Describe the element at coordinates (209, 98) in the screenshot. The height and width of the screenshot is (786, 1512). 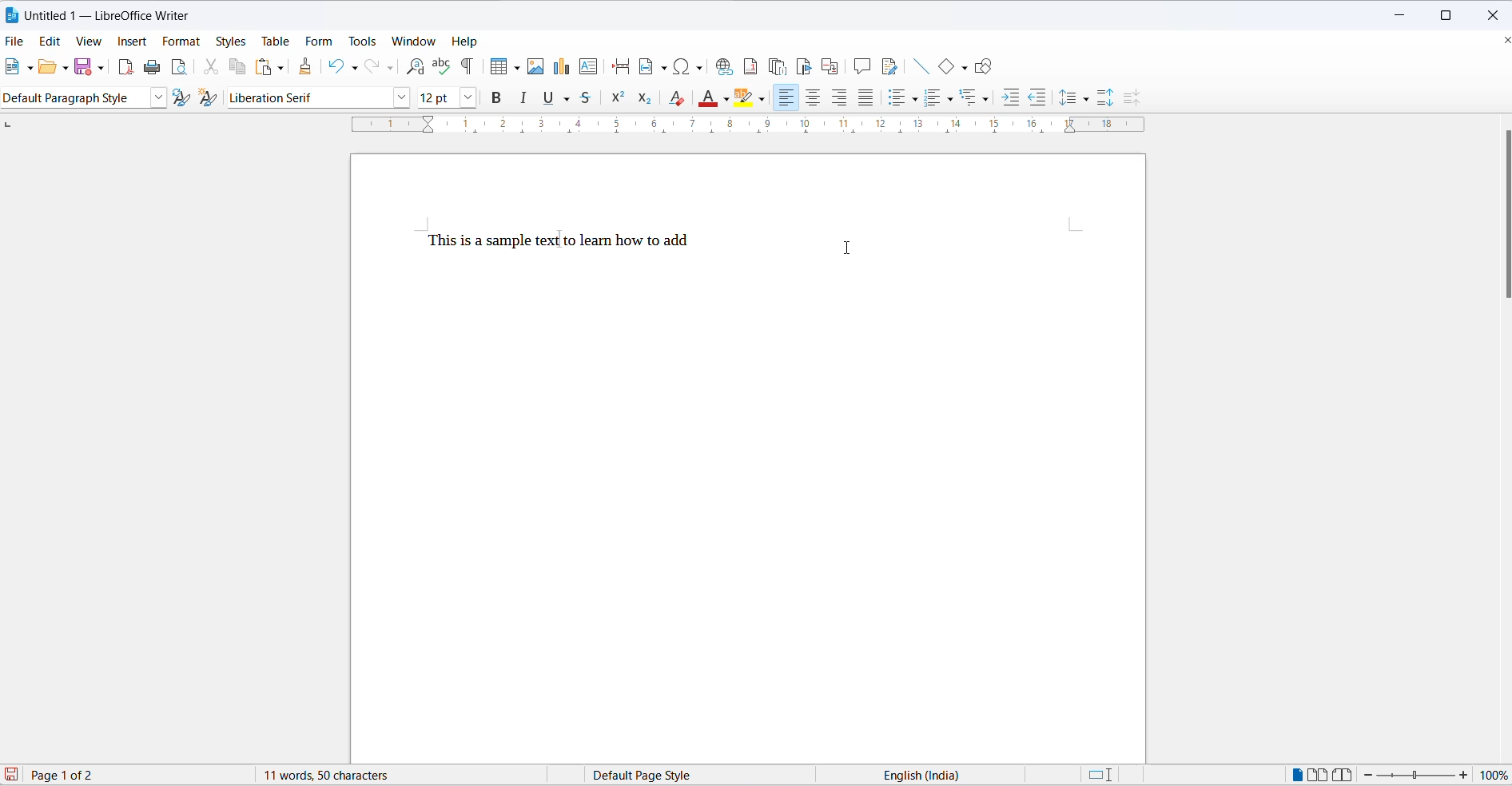
I see `new selected style` at that location.